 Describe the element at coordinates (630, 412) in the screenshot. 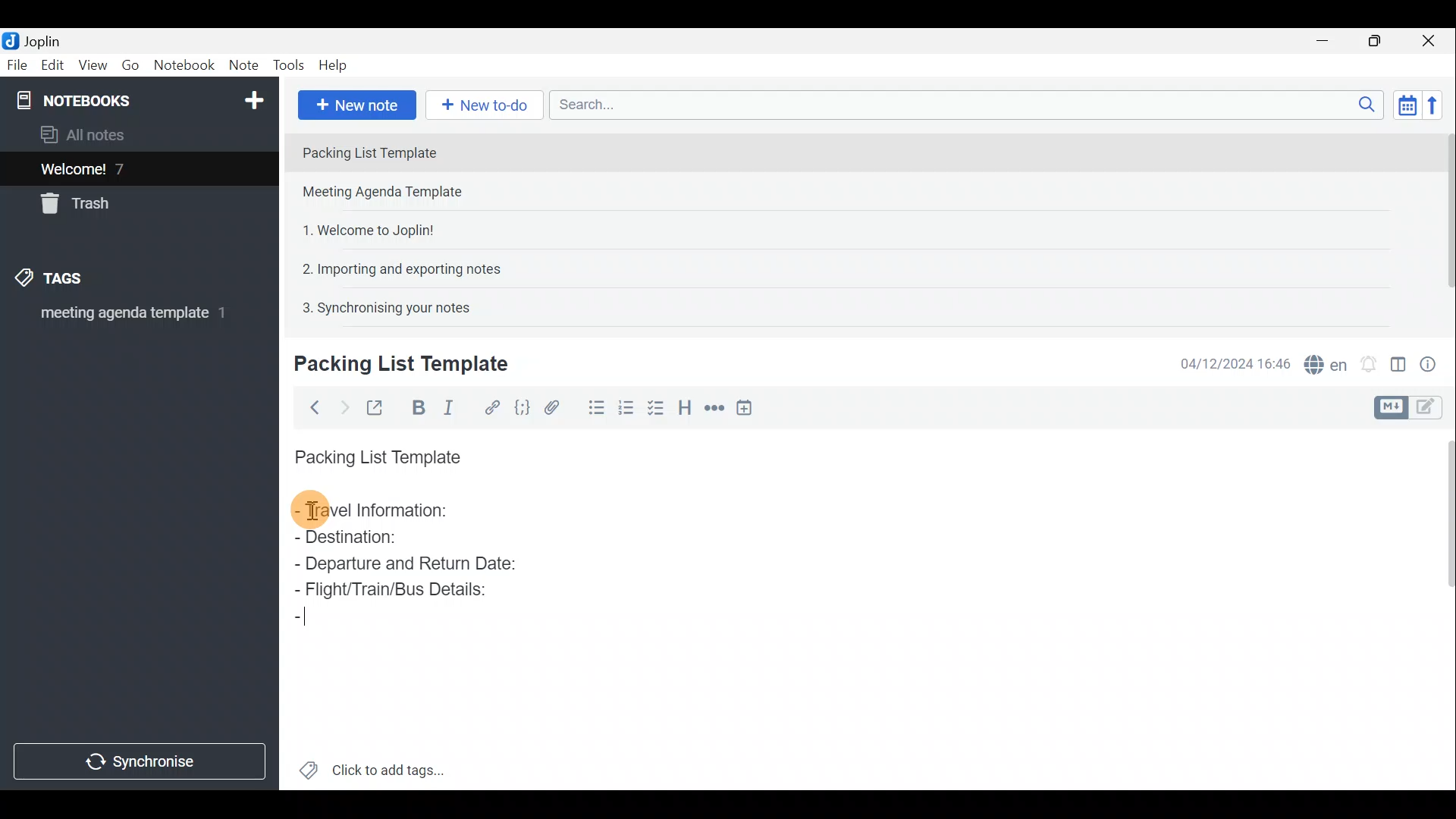

I see `Numbered list` at that location.